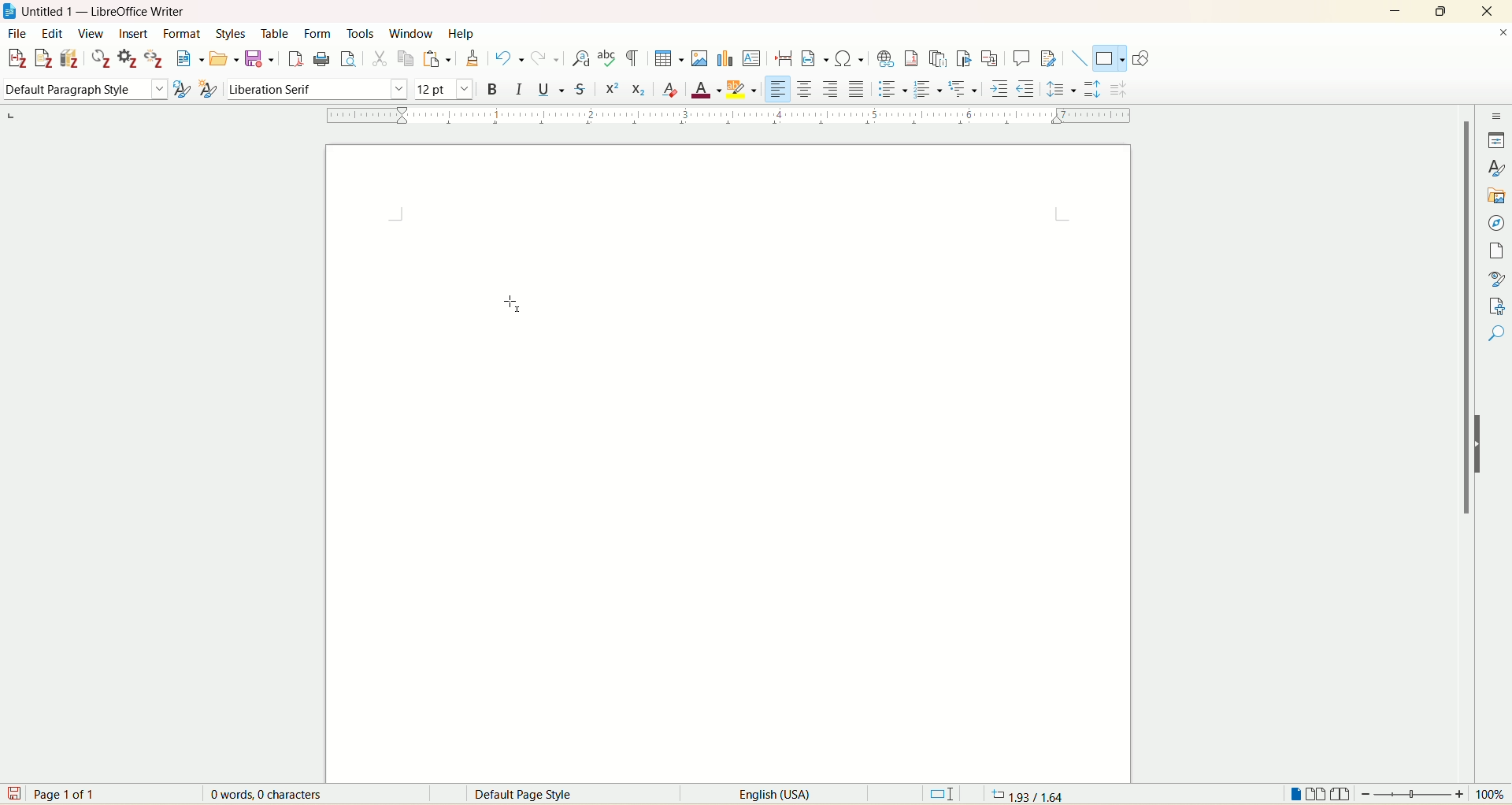 Image resolution: width=1512 pixels, height=805 pixels. Describe the element at coordinates (891, 88) in the screenshot. I see `toggle unordered list` at that location.